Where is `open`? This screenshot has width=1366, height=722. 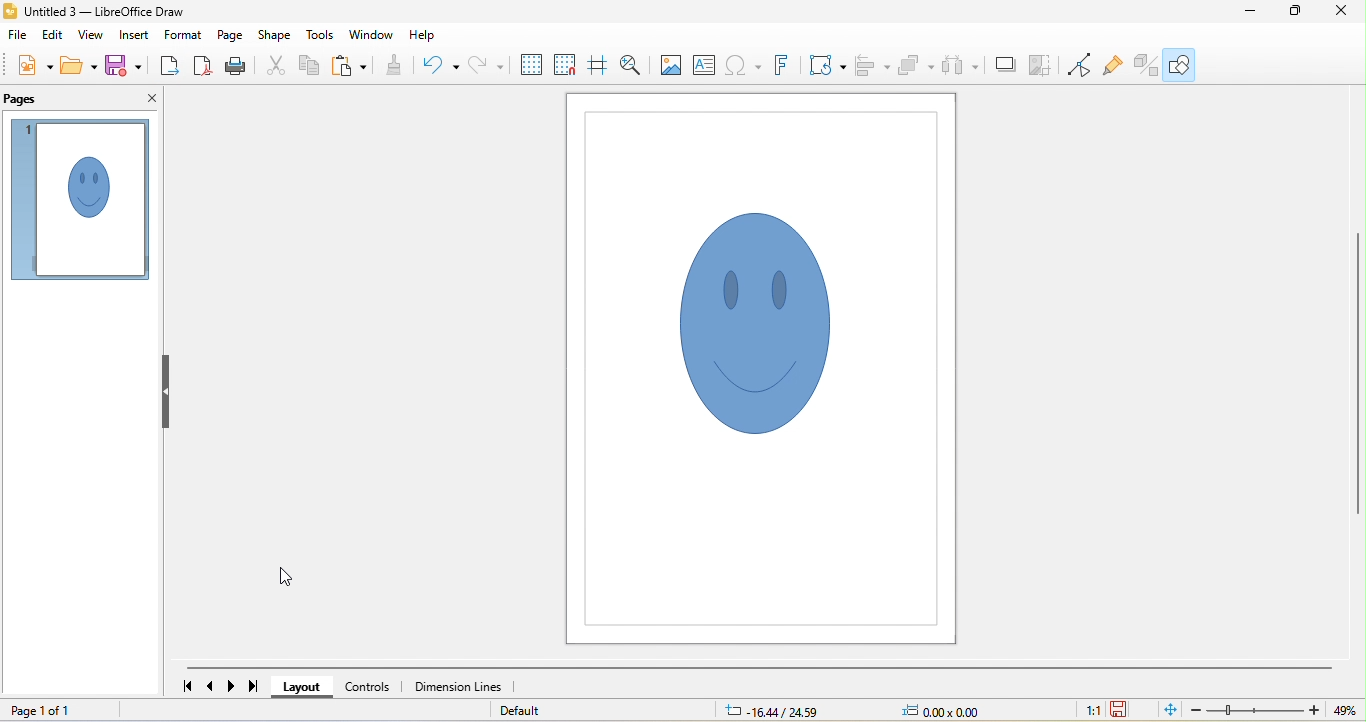
open is located at coordinates (82, 68).